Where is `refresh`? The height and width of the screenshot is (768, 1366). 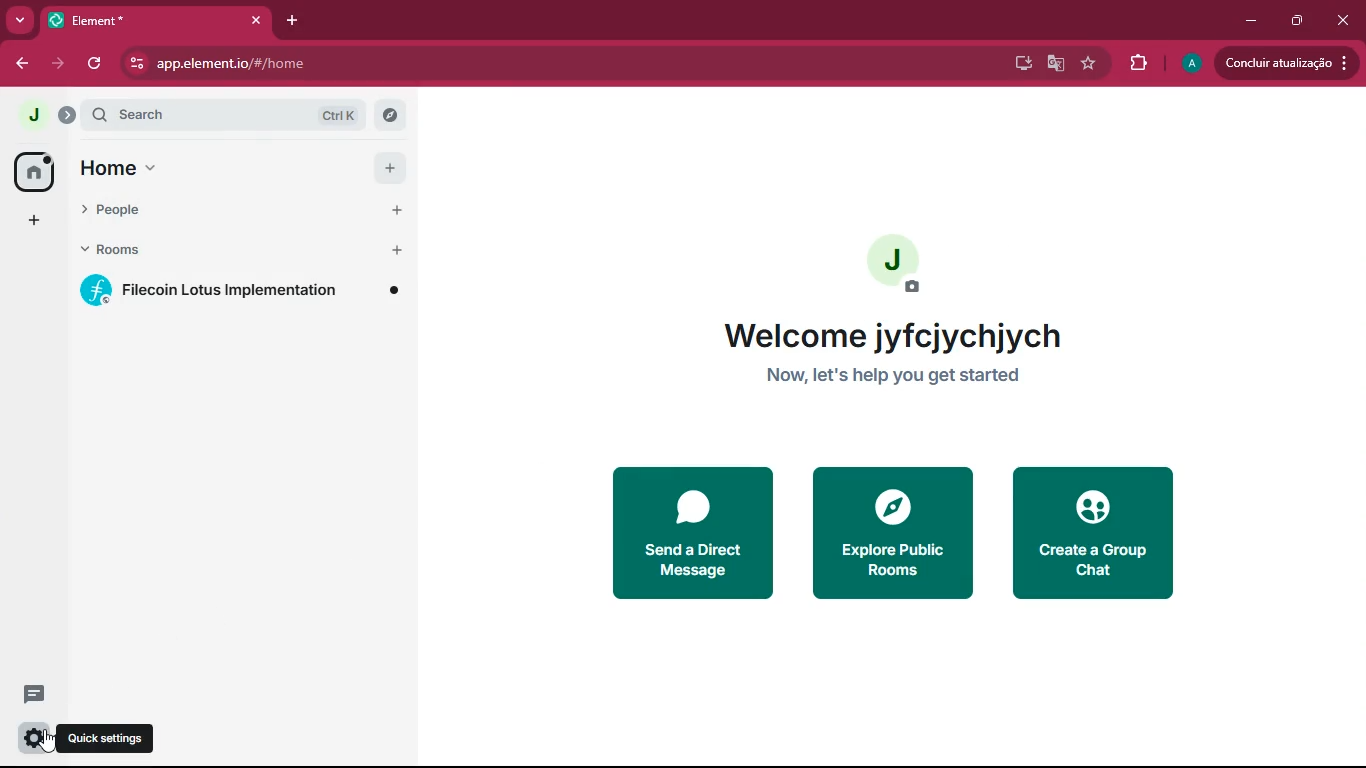 refresh is located at coordinates (95, 64).